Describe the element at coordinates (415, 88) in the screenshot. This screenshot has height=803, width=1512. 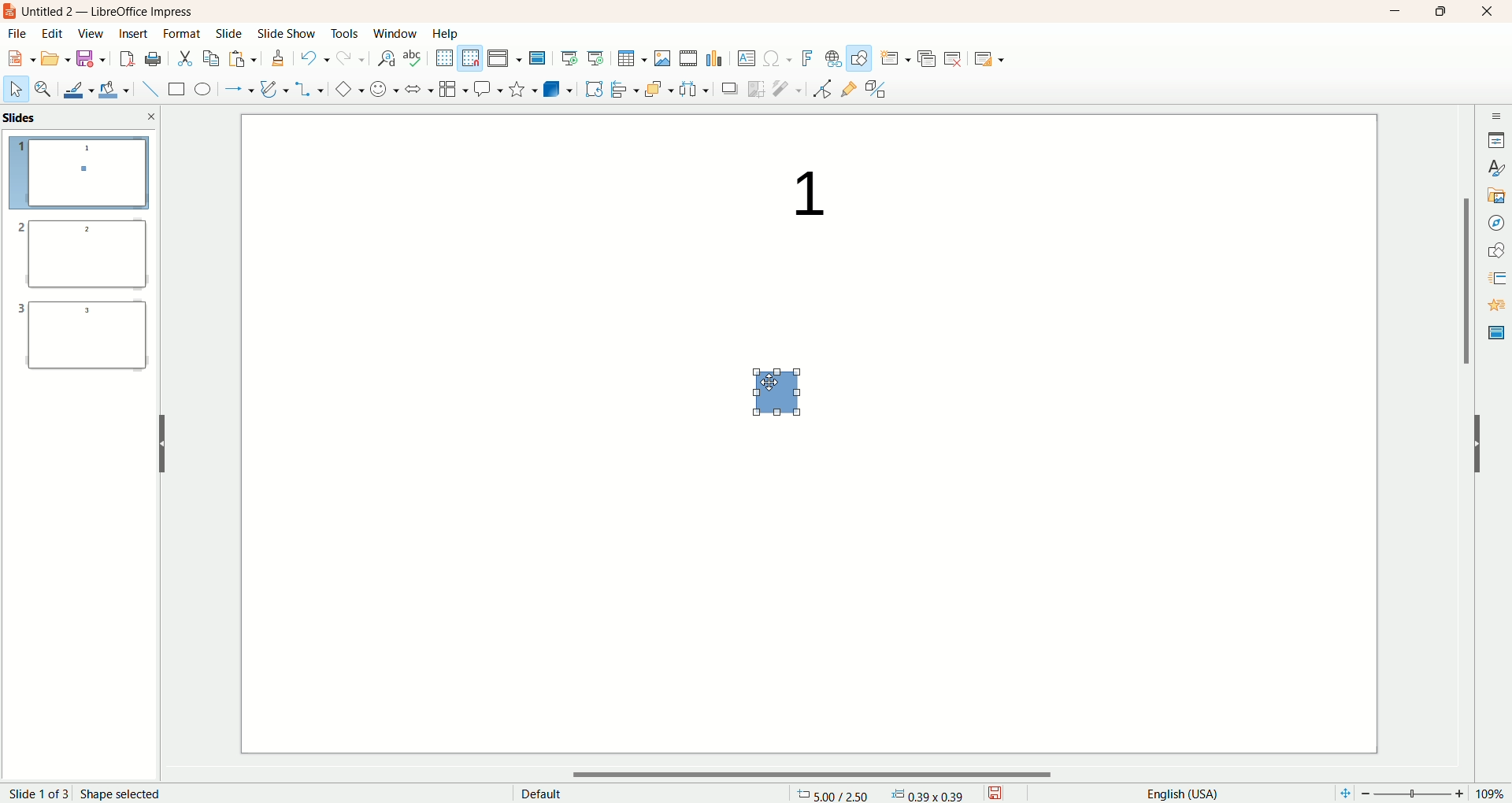
I see `block arrow` at that location.